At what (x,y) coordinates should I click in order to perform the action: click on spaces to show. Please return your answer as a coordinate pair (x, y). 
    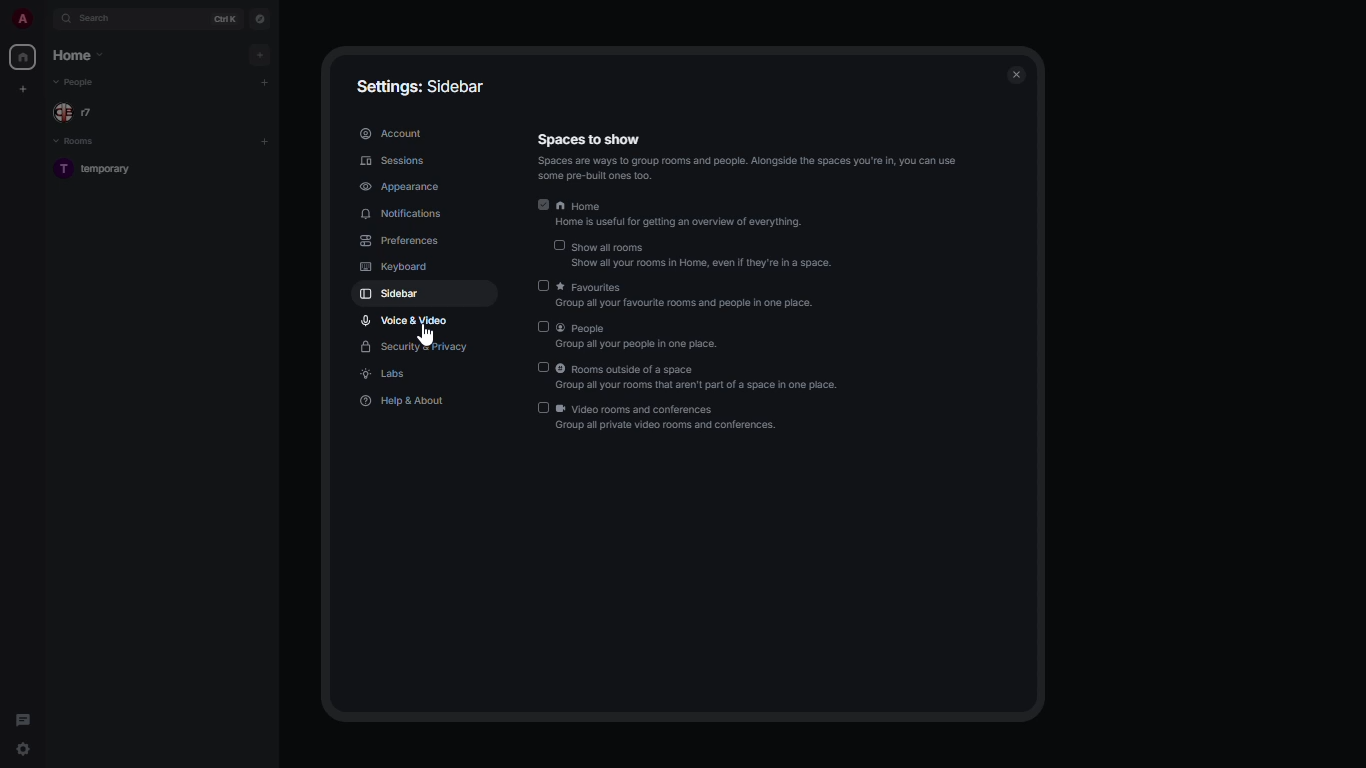
    Looking at the image, I should click on (748, 139).